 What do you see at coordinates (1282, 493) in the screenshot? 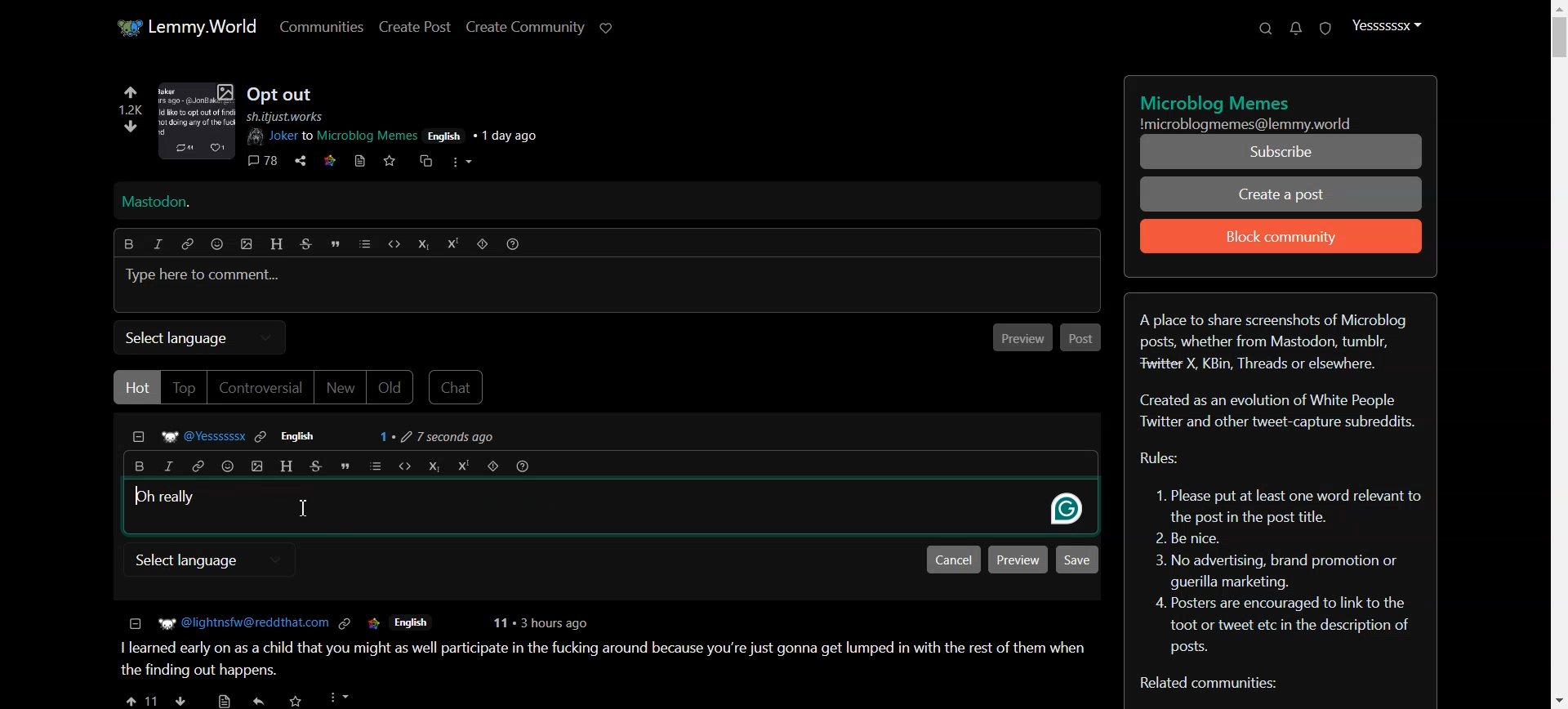
I see `Text` at bounding box center [1282, 493].